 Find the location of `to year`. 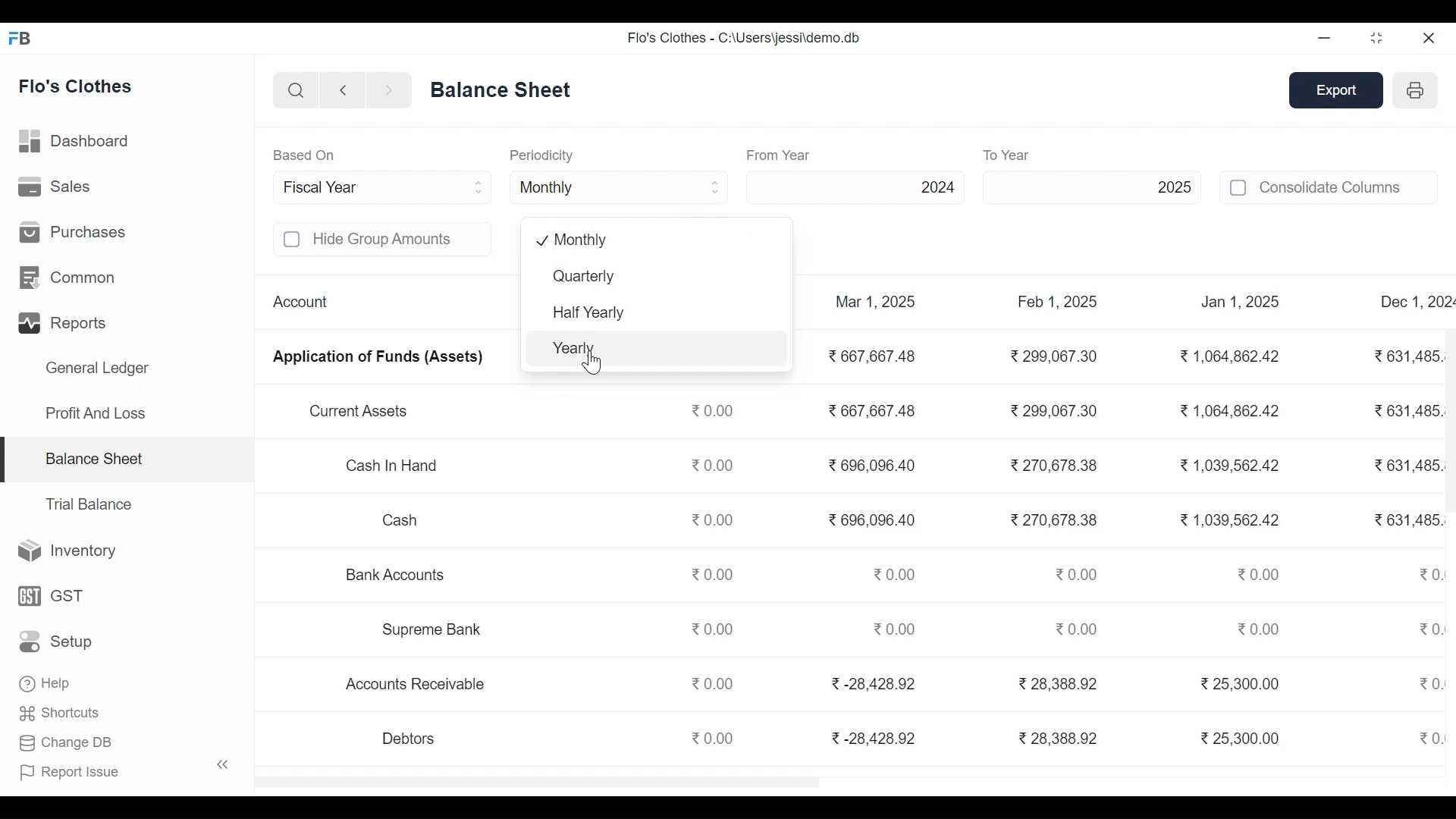

to year is located at coordinates (1039, 155).